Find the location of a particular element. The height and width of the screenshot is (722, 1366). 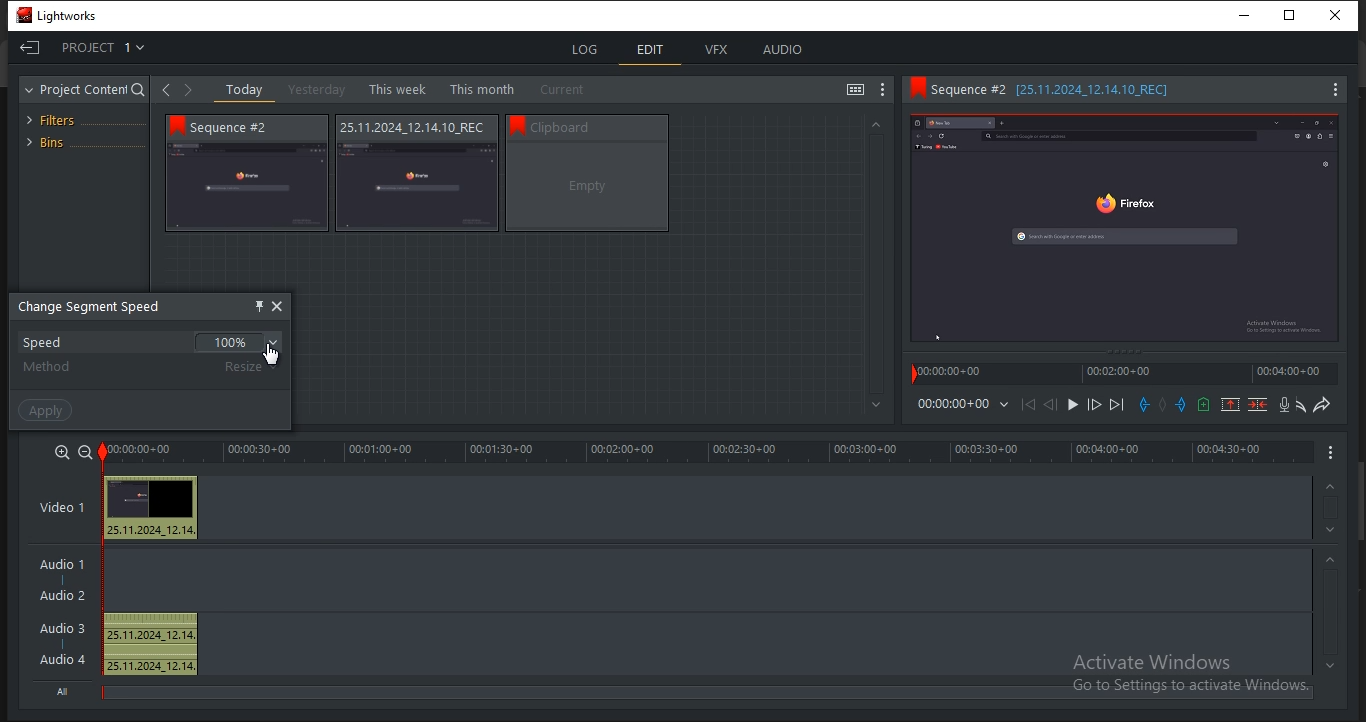

delete marked section is located at coordinates (1258, 405).